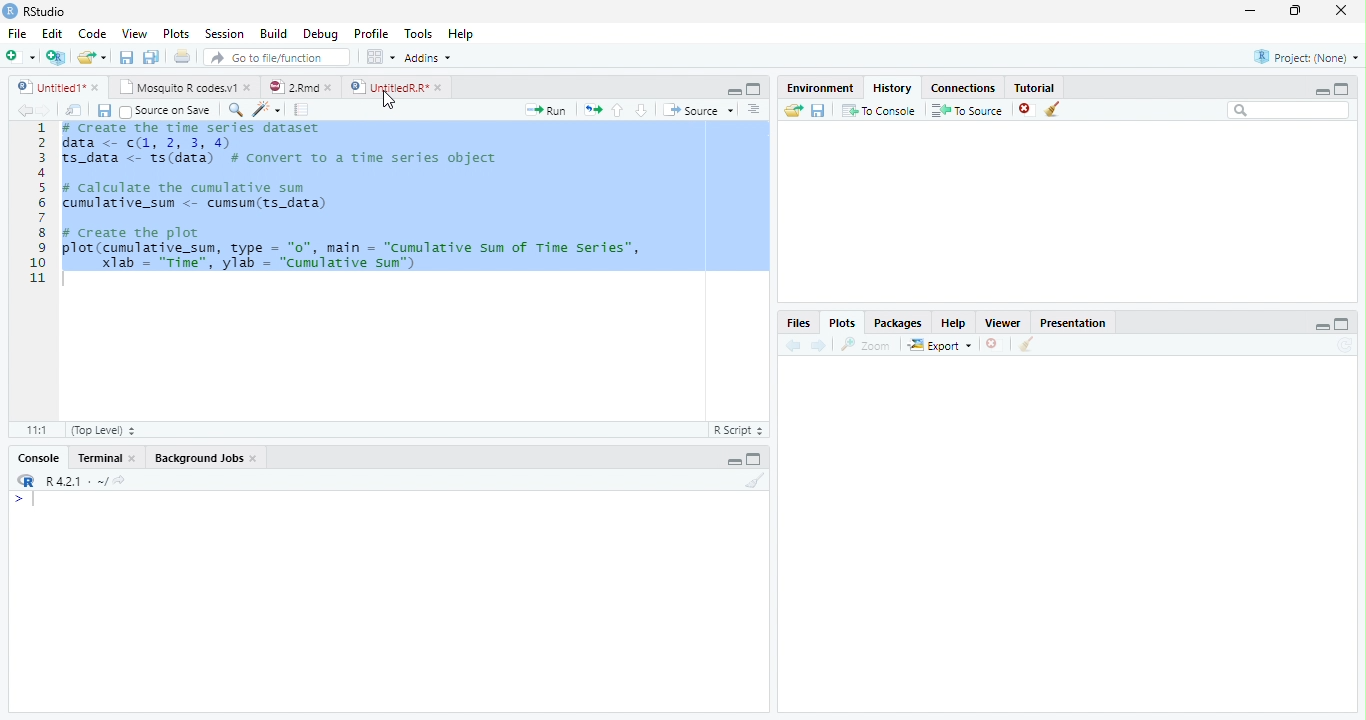 The height and width of the screenshot is (720, 1366). I want to click on Plots, so click(843, 322).